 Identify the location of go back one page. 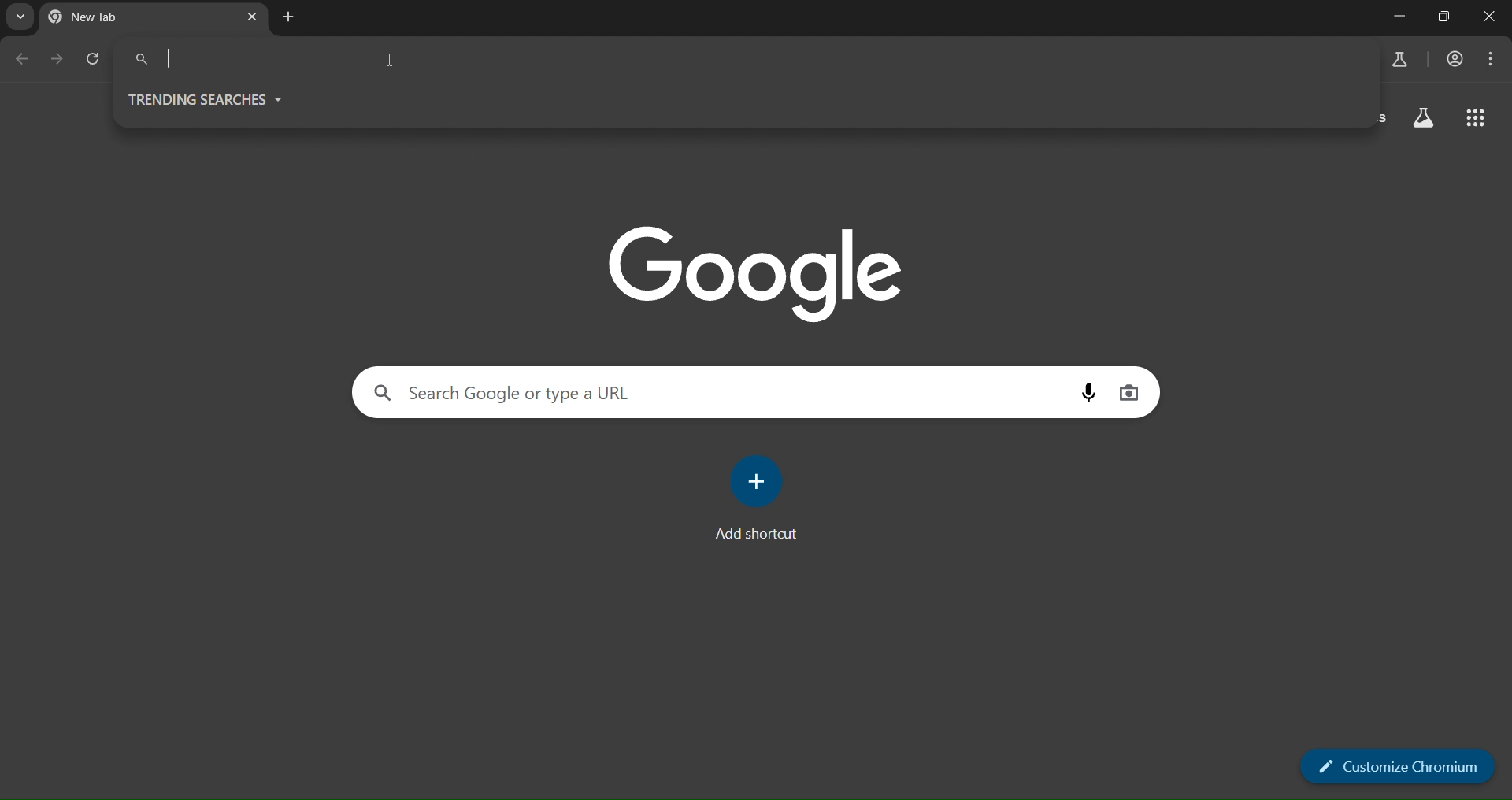
(20, 61).